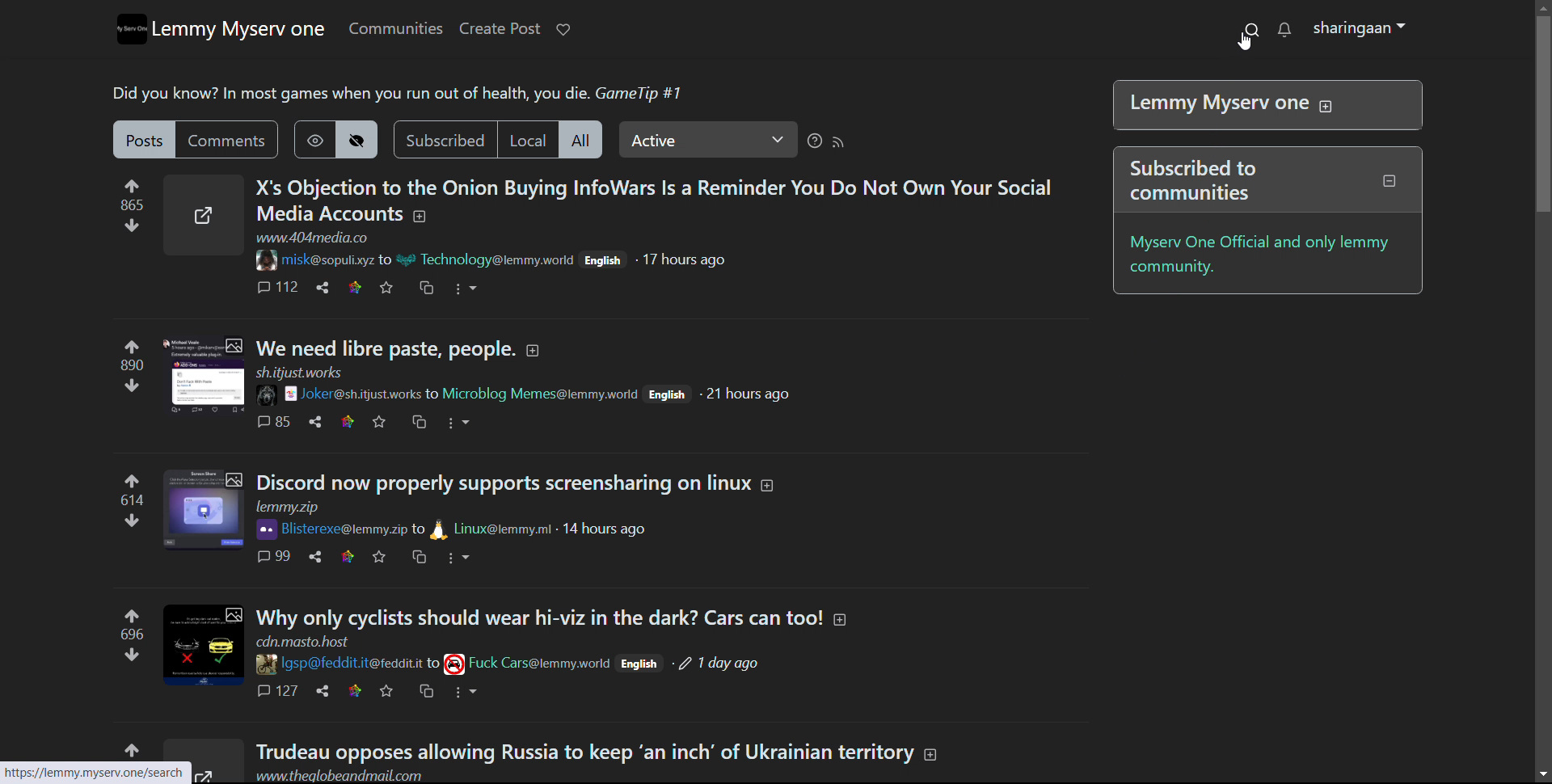  Describe the element at coordinates (499, 29) in the screenshot. I see `create post` at that location.